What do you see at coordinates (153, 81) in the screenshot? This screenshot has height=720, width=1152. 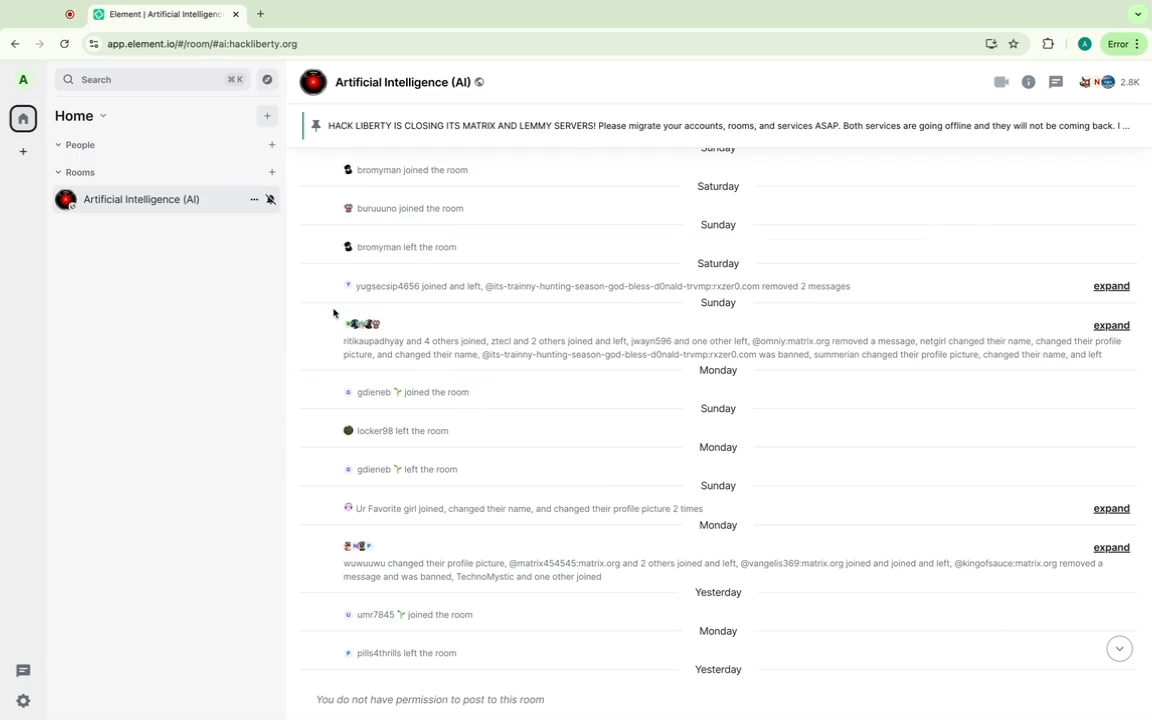 I see `Search` at bounding box center [153, 81].